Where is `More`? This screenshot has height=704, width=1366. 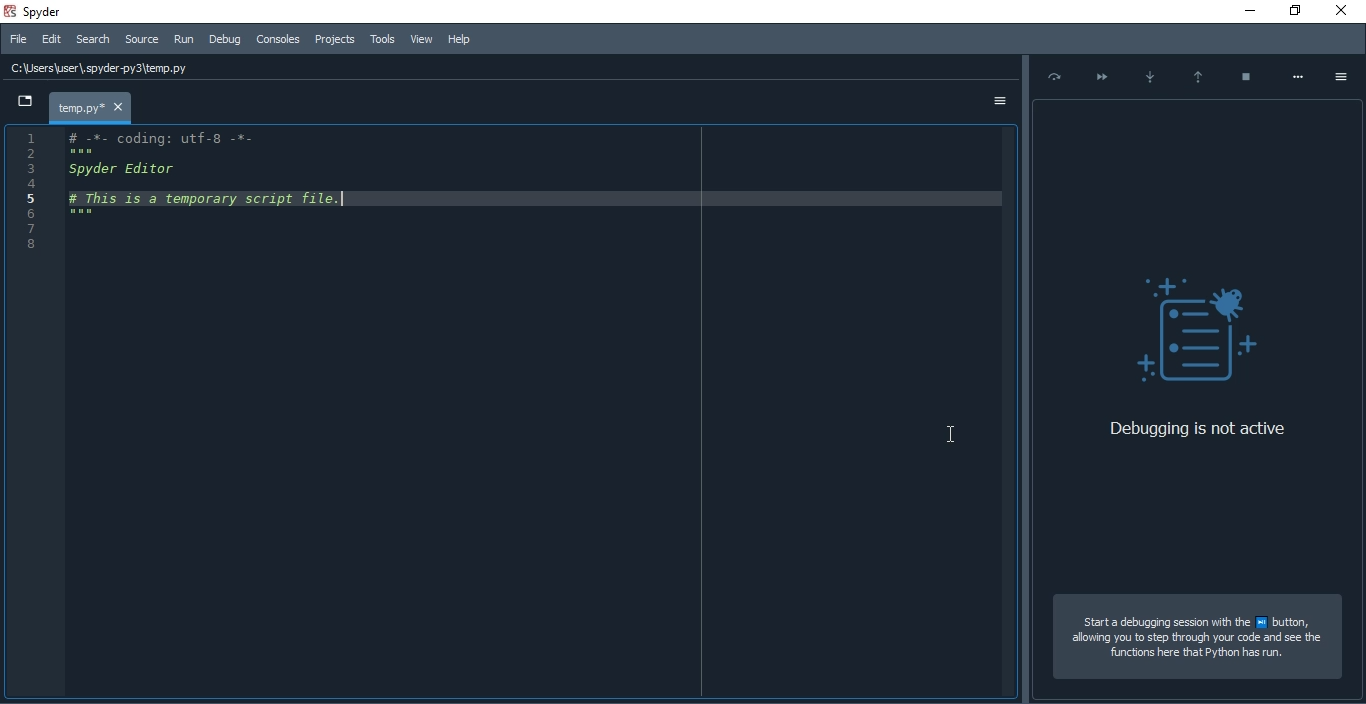
More is located at coordinates (1298, 74).